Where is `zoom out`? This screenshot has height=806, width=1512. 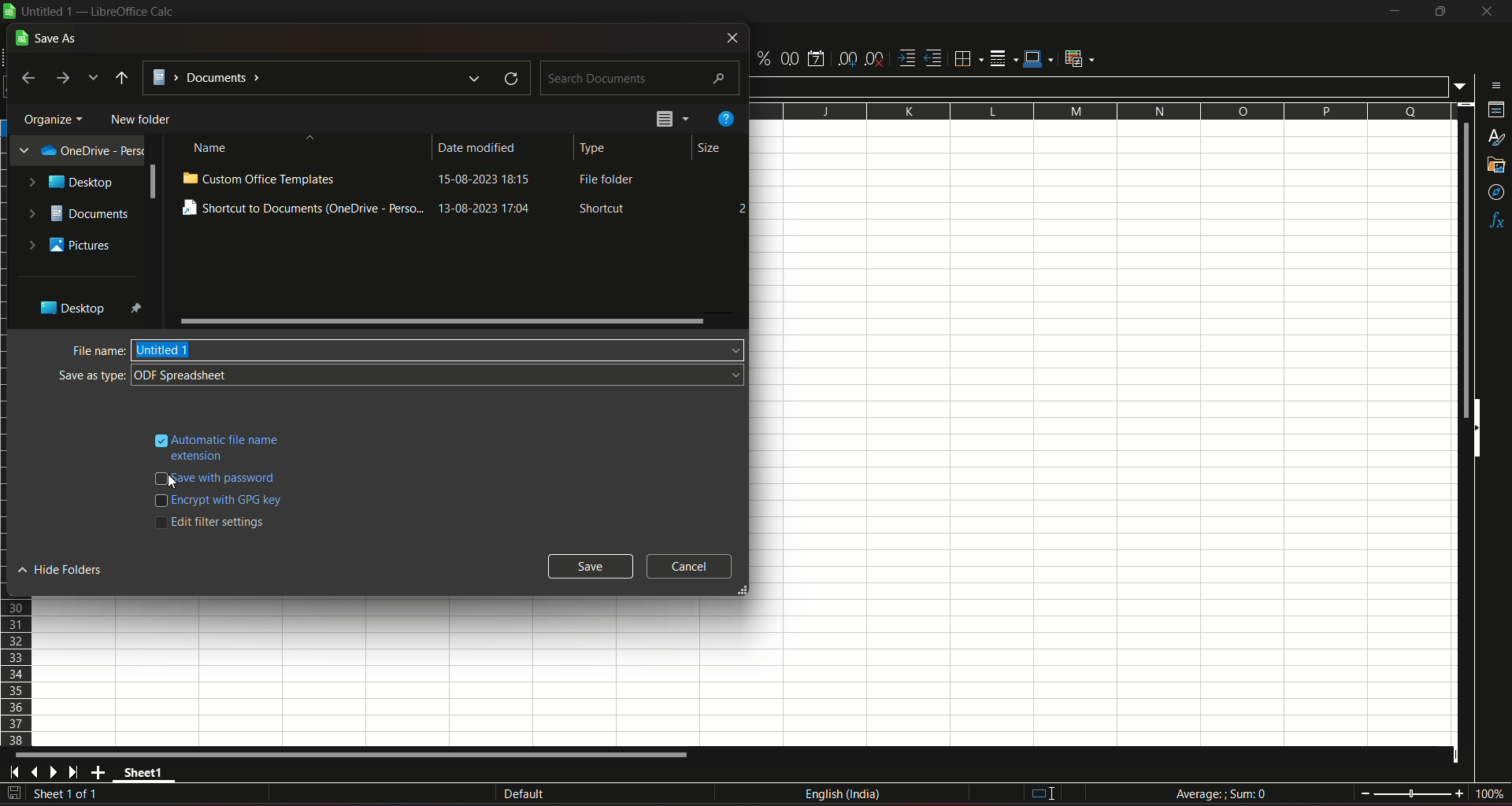 zoom out is located at coordinates (1365, 792).